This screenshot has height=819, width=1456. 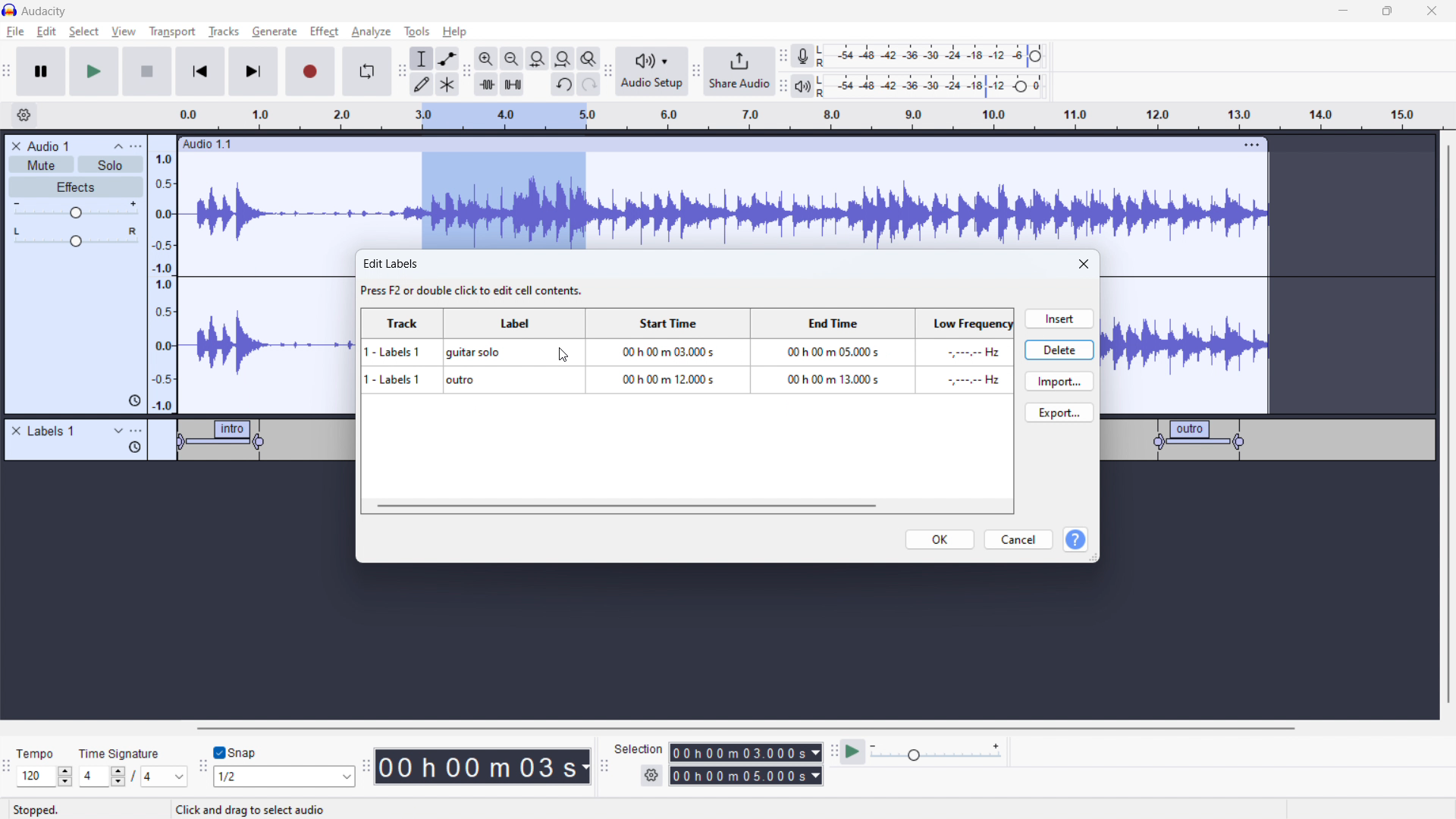 What do you see at coordinates (203, 768) in the screenshot?
I see `snapping toolbar` at bounding box center [203, 768].